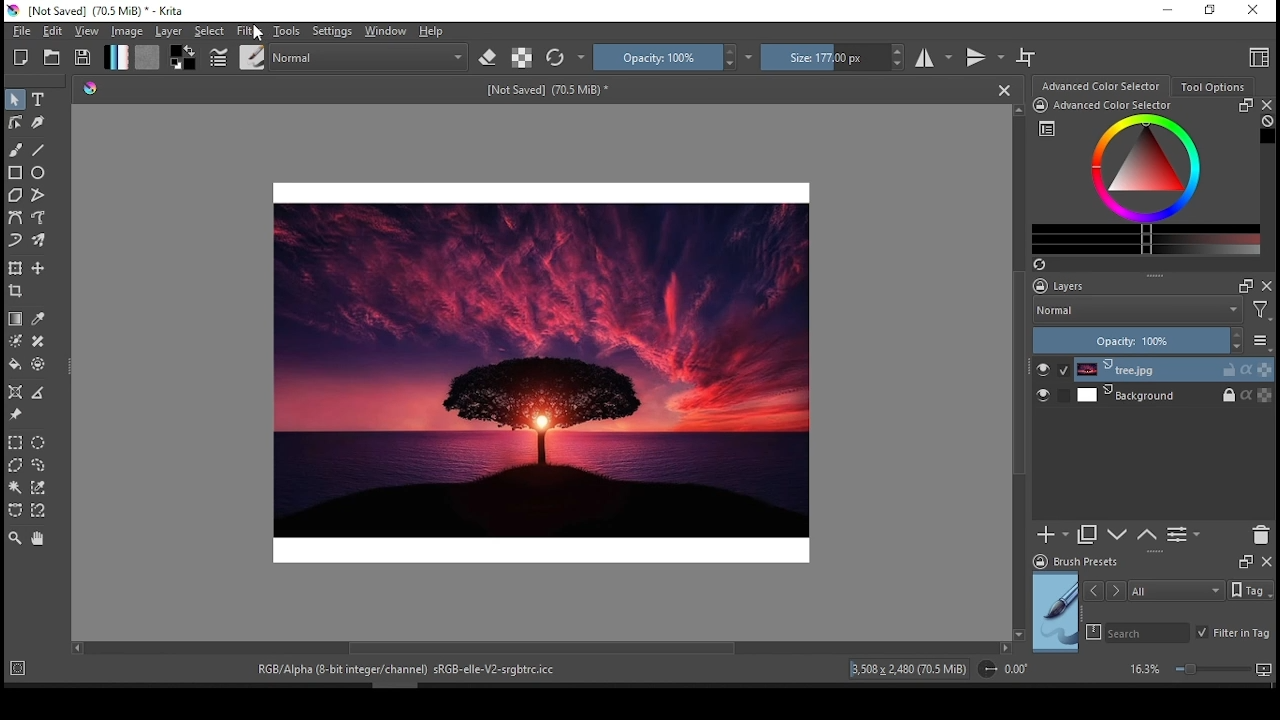 The width and height of the screenshot is (1280, 720). What do you see at coordinates (38, 487) in the screenshot?
I see `similar color selection tool` at bounding box center [38, 487].